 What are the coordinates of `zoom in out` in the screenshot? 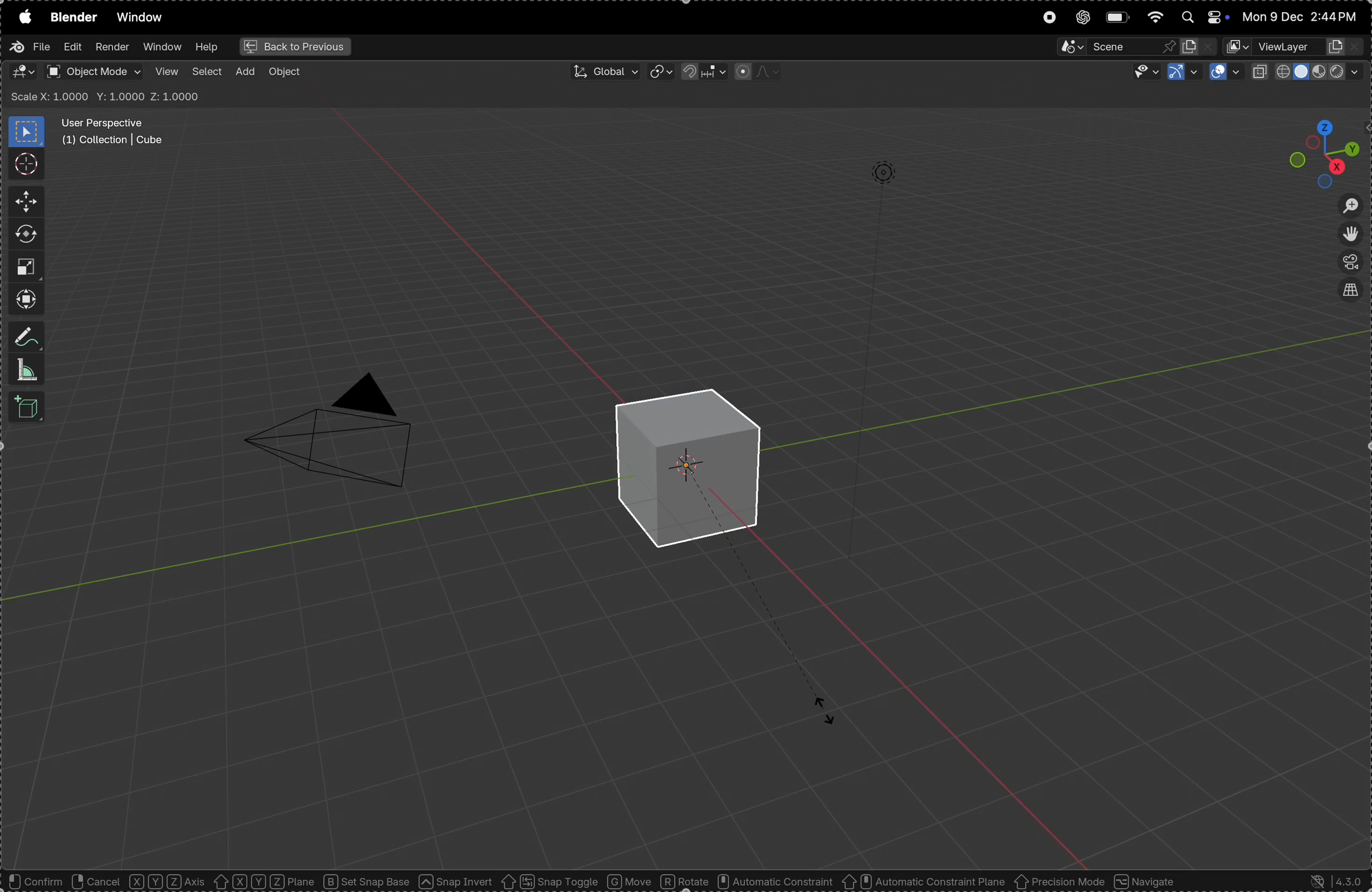 It's located at (1350, 205).